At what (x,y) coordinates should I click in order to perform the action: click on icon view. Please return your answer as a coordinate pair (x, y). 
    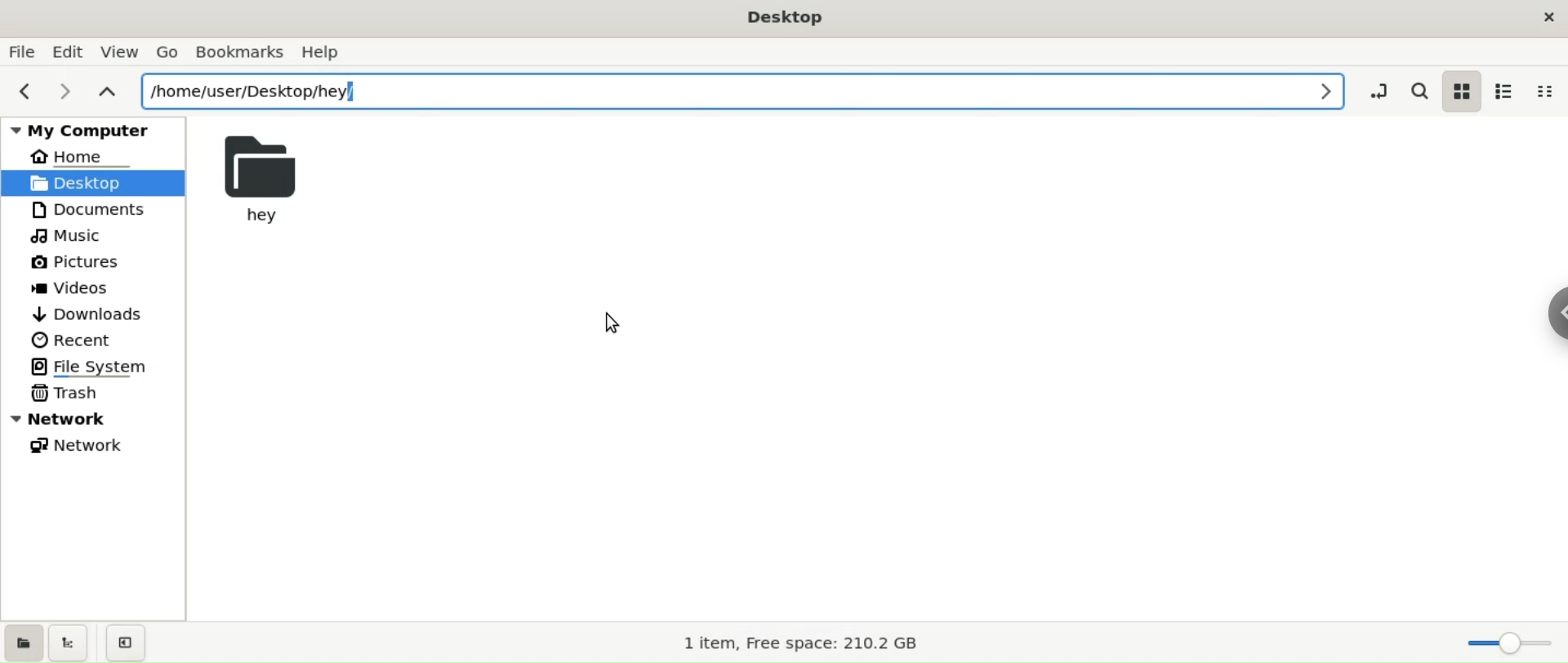
    Looking at the image, I should click on (1463, 93).